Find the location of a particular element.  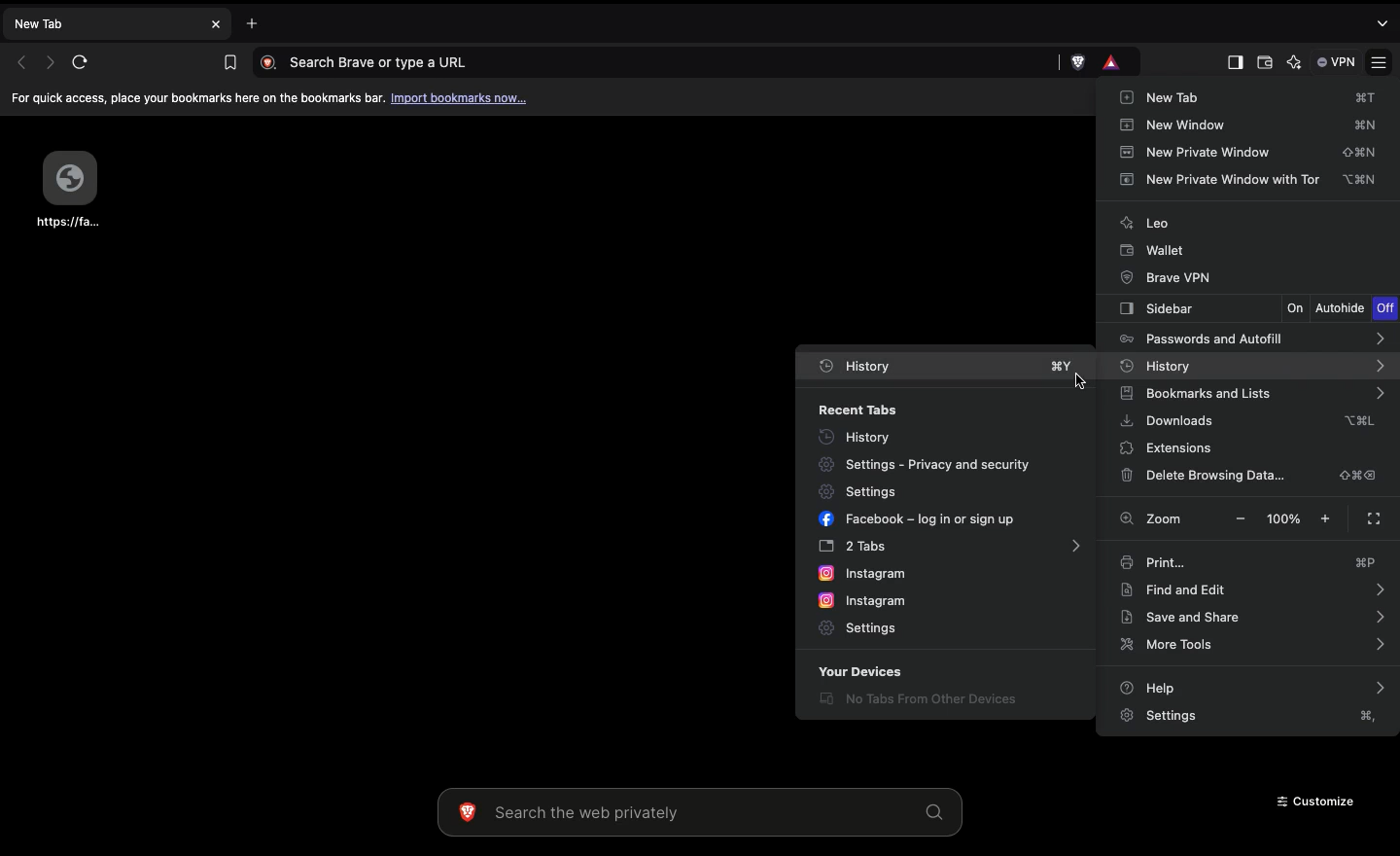

Brave VPN is located at coordinates (1161, 277).